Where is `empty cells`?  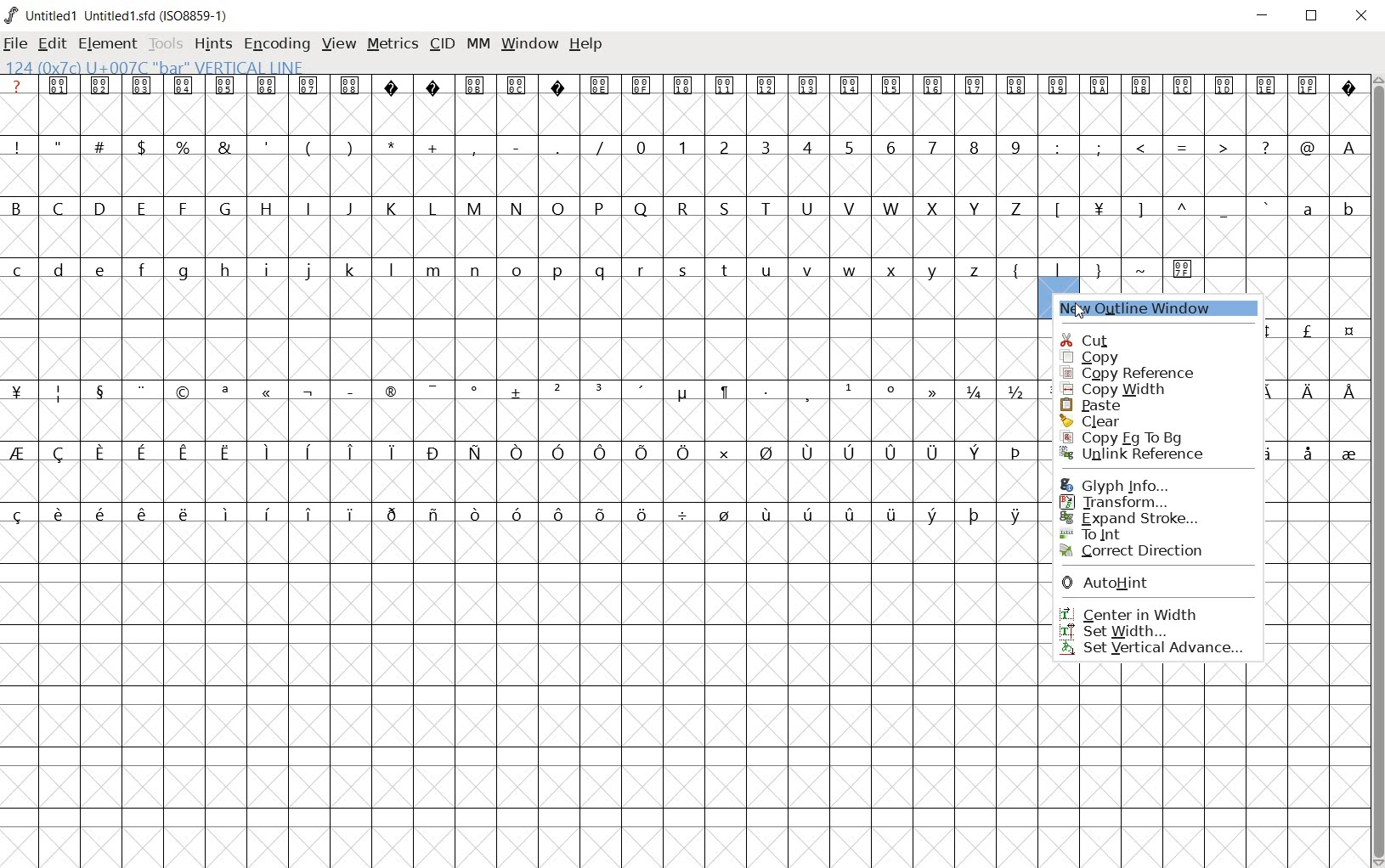 empty cells is located at coordinates (520, 696).